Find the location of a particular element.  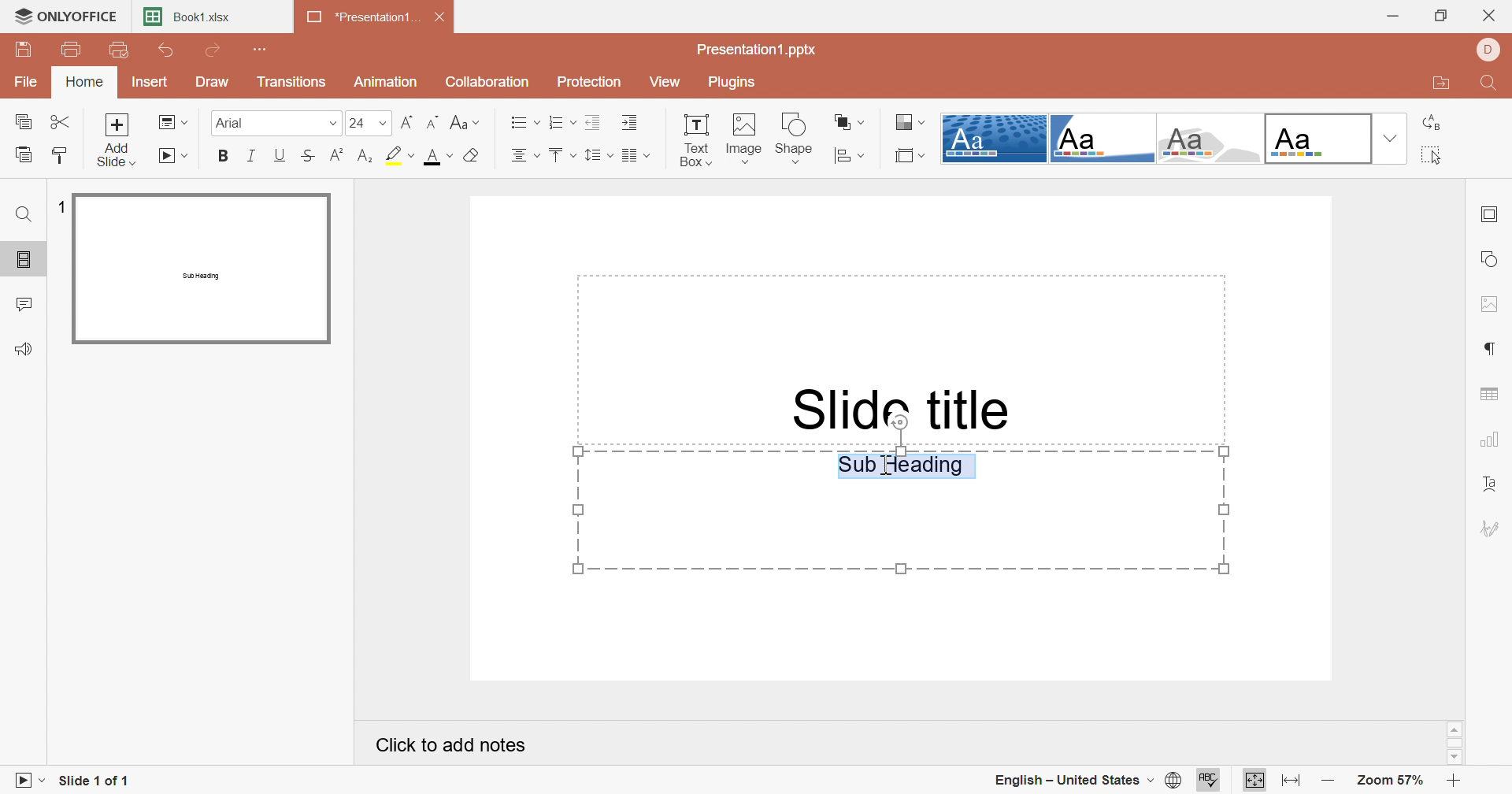

Book1.xlsx is located at coordinates (188, 16).